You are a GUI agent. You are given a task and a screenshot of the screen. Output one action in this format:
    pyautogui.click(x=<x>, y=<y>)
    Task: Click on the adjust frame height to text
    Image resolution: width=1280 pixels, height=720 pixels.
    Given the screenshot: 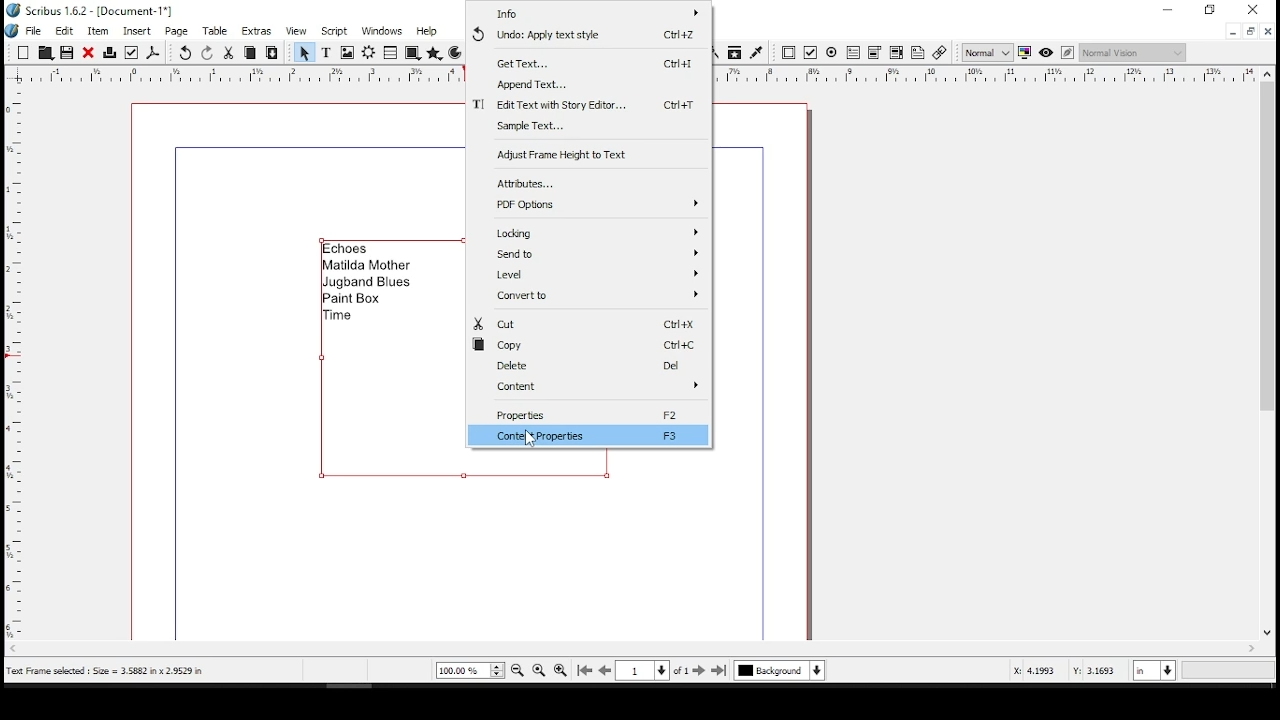 What is the action you would take?
    pyautogui.click(x=588, y=156)
    